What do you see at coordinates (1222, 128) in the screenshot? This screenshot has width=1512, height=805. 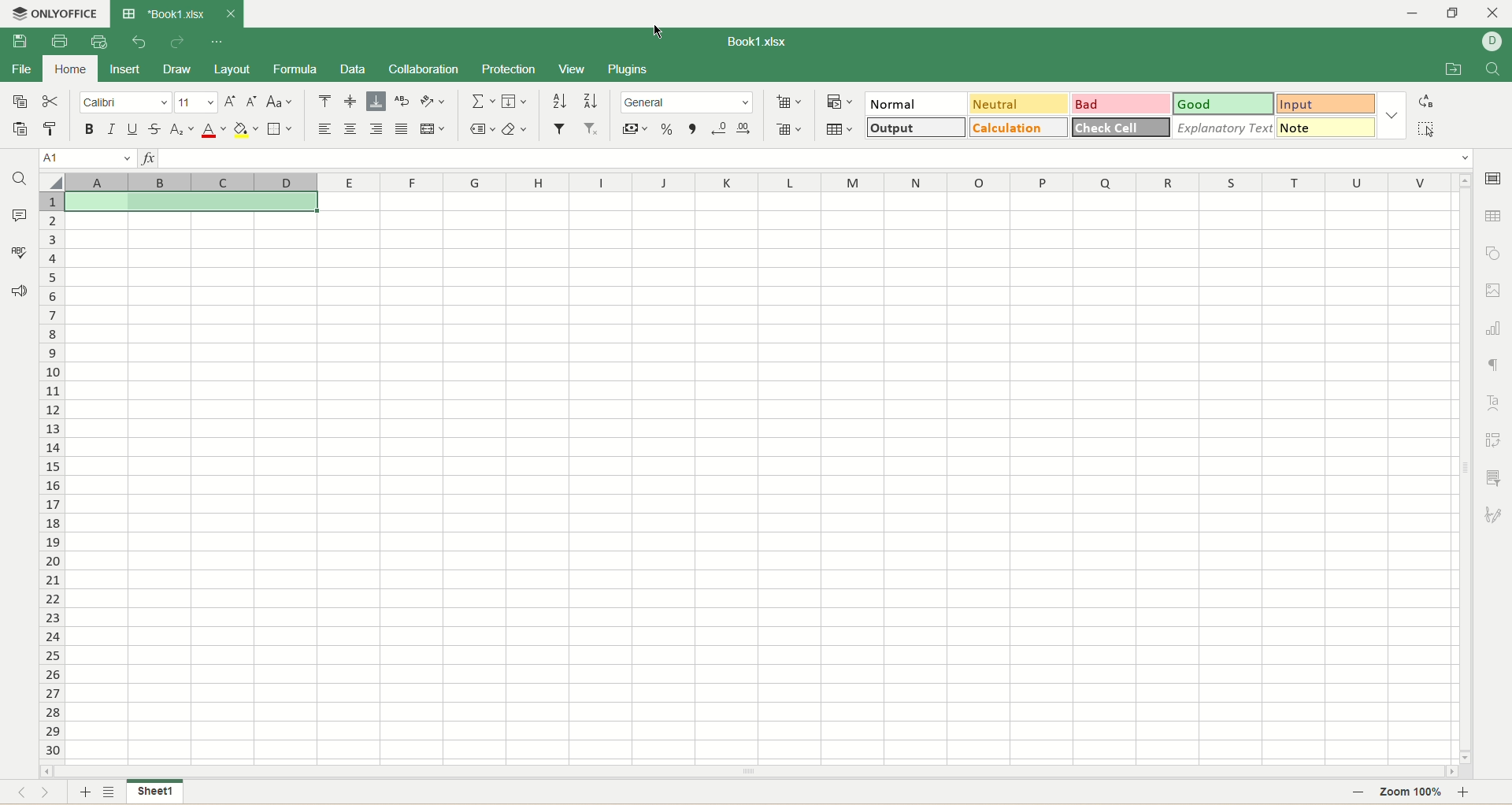 I see `explanatory text` at bounding box center [1222, 128].